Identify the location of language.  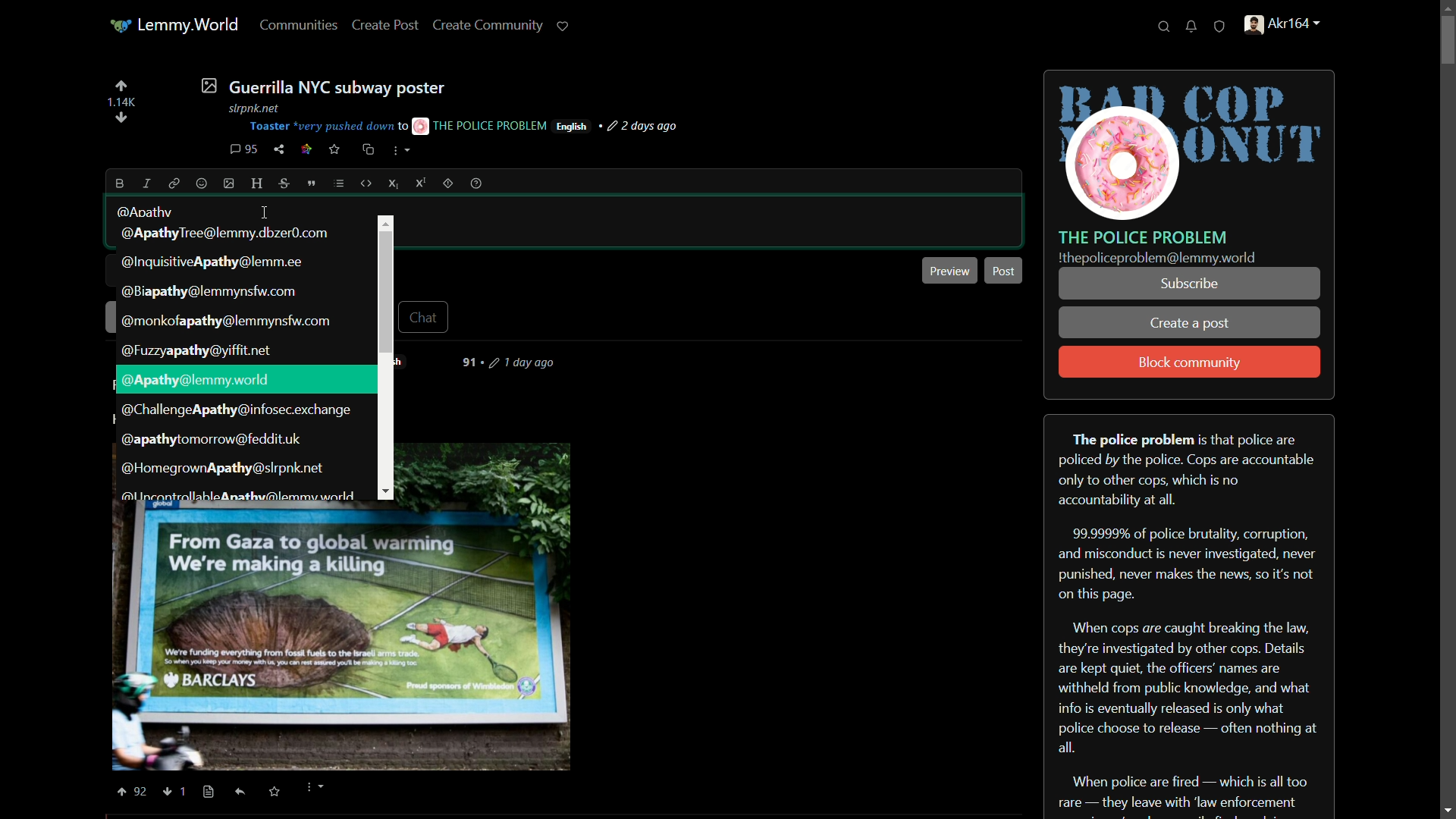
(572, 127).